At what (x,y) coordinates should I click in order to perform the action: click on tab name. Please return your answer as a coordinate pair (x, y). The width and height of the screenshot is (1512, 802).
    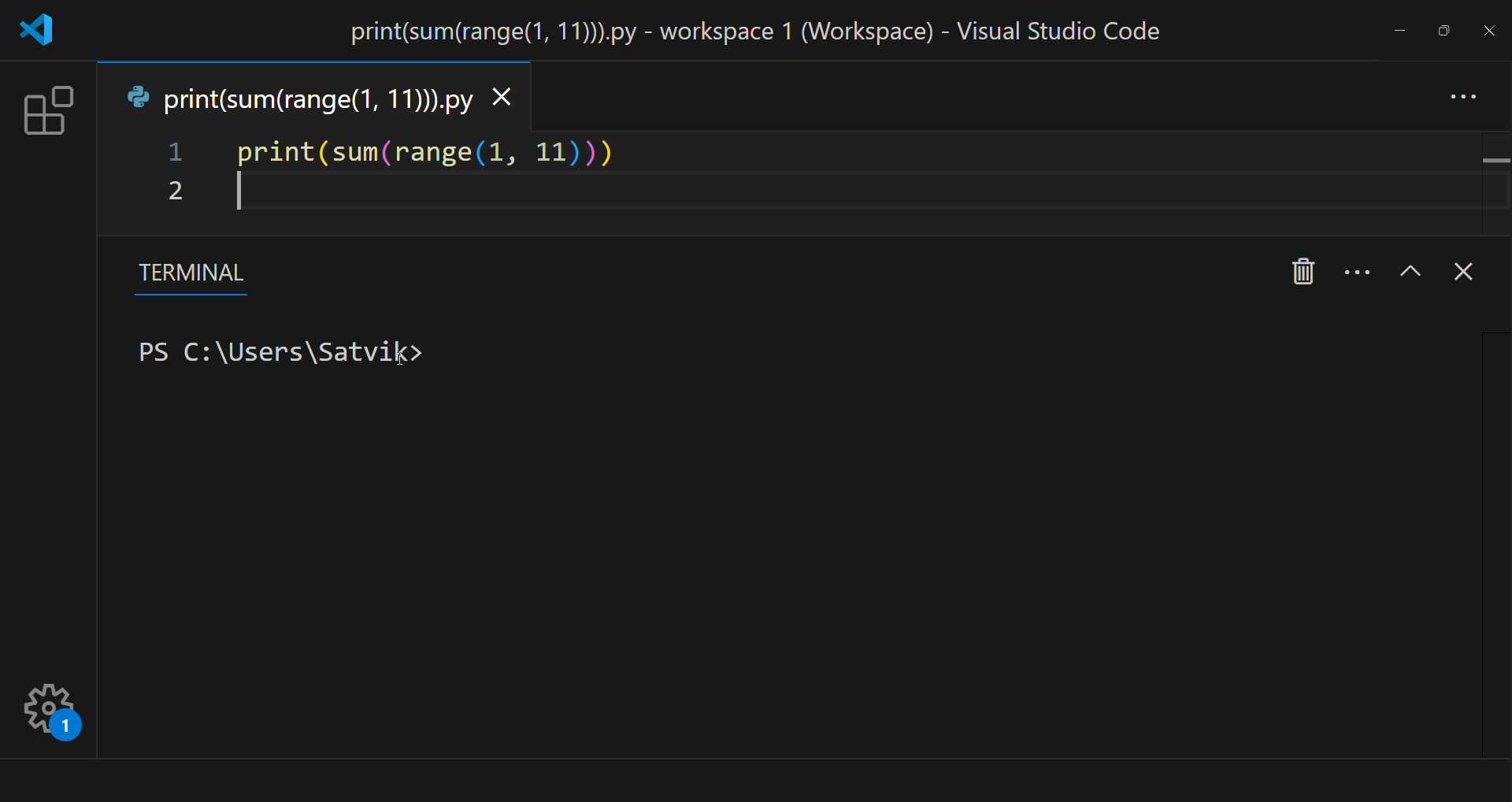
    Looking at the image, I should click on (298, 95).